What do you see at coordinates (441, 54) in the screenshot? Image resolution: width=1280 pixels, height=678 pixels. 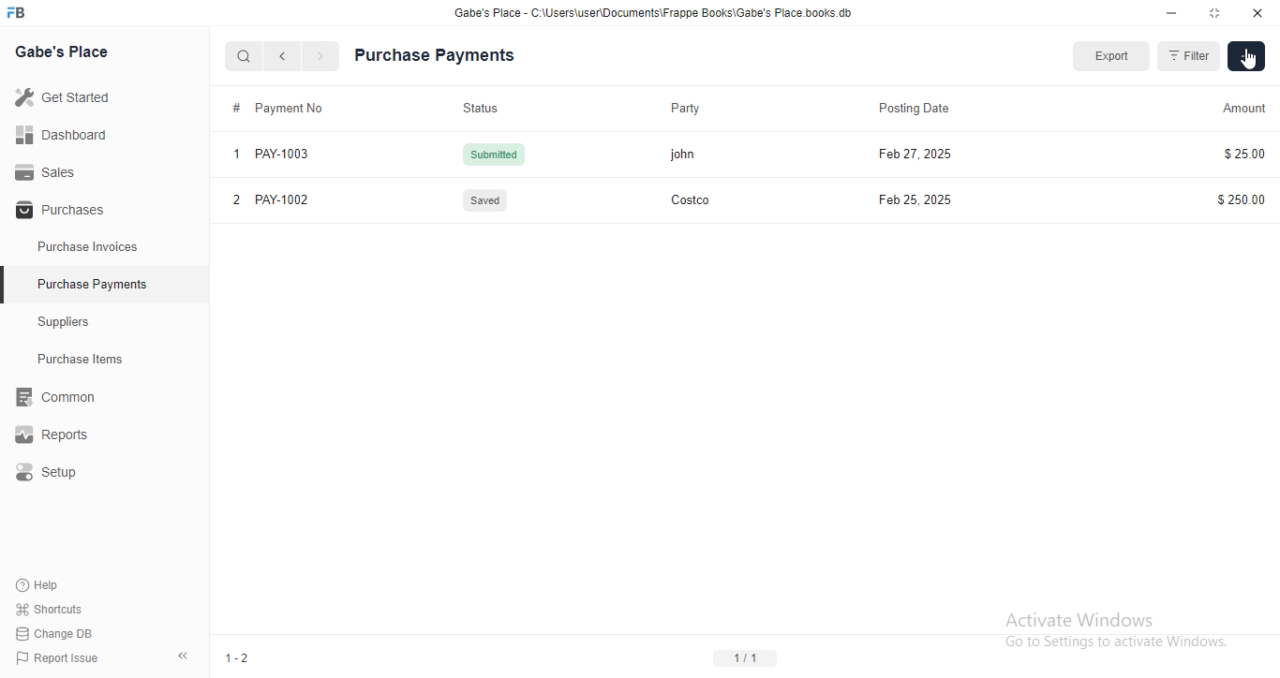 I see `Purchase Payments` at bounding box center [441, 54].